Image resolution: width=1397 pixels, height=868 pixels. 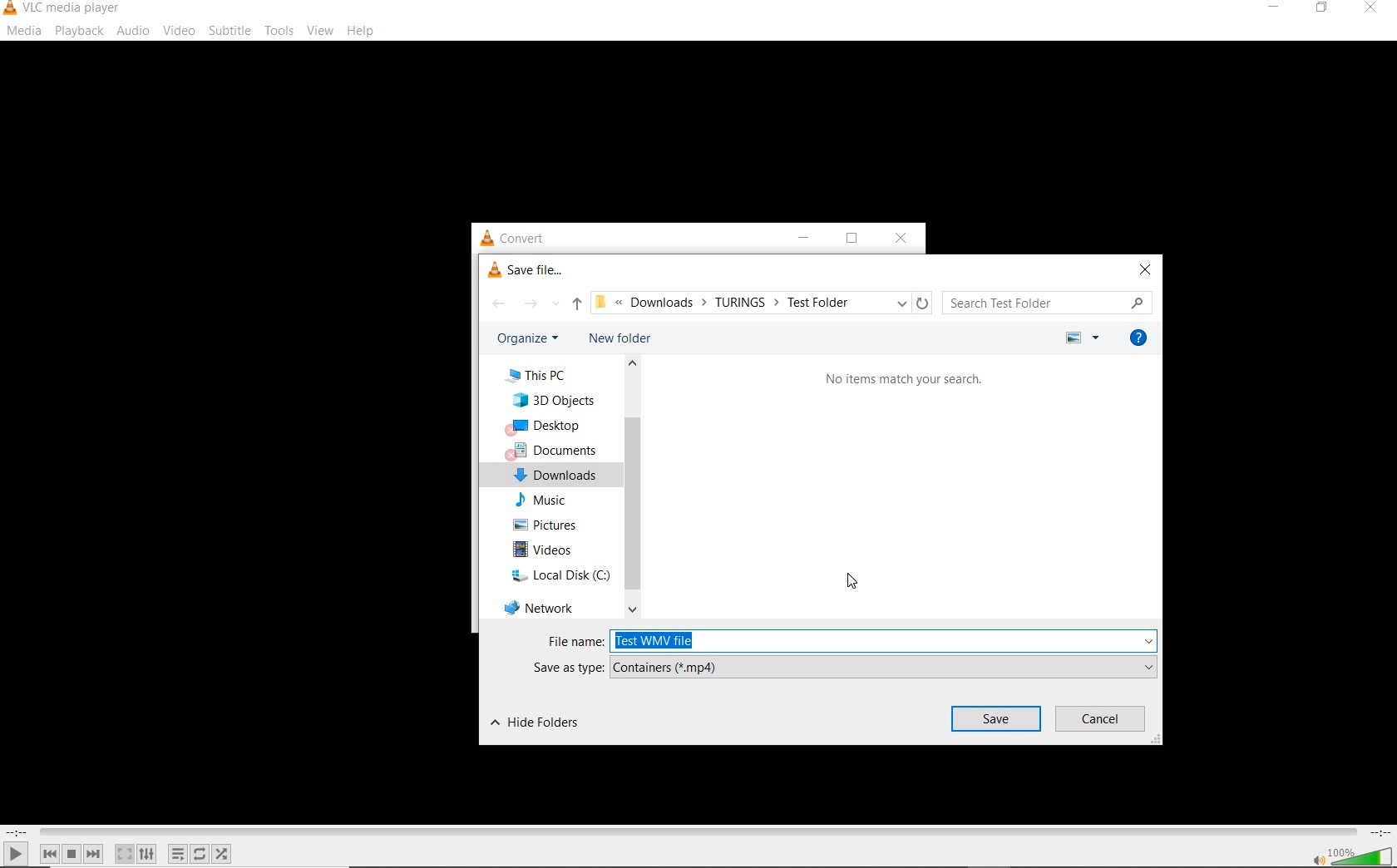 I want to click on organize, so click(x=531, y=338).